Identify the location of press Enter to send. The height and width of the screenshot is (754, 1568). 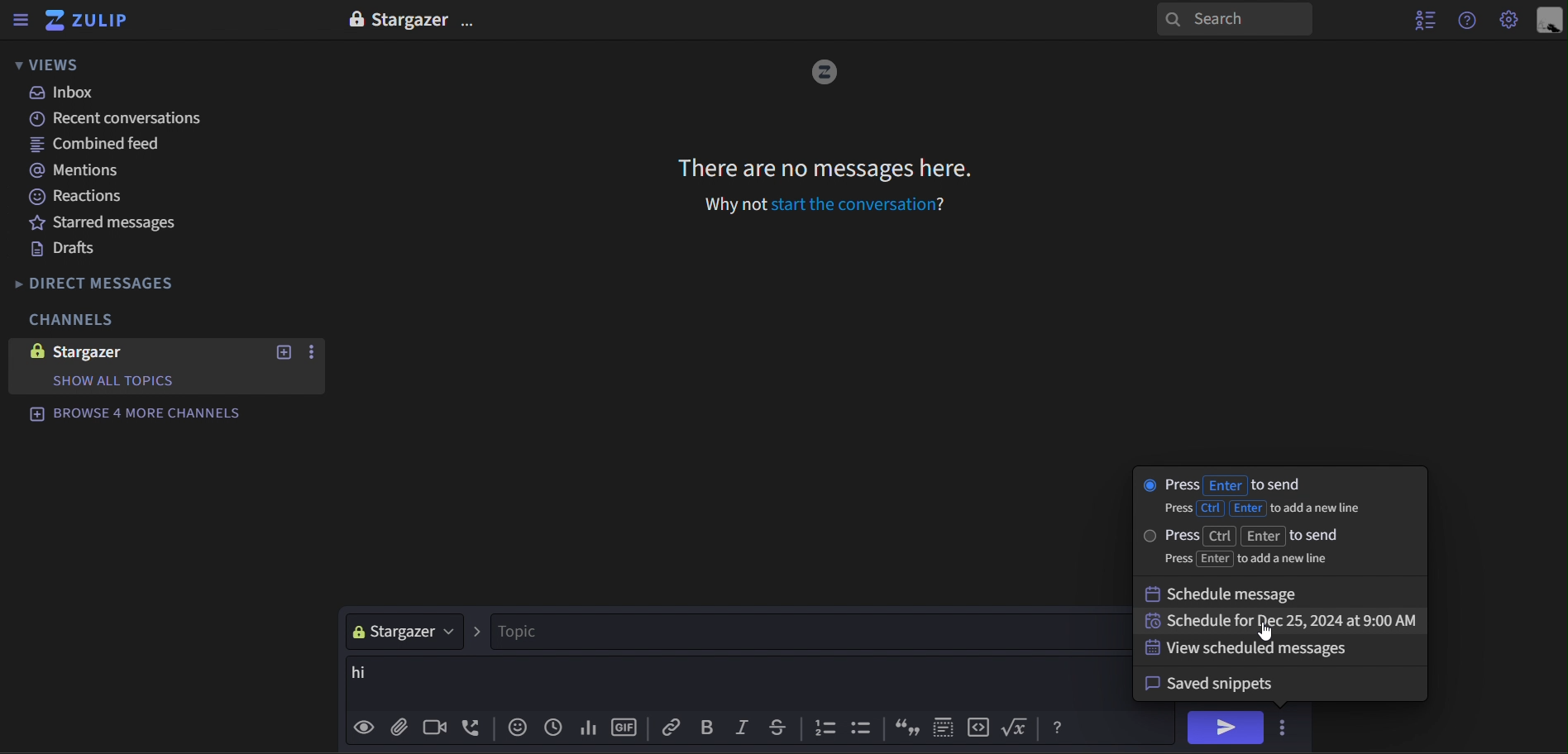
(1280, 484).